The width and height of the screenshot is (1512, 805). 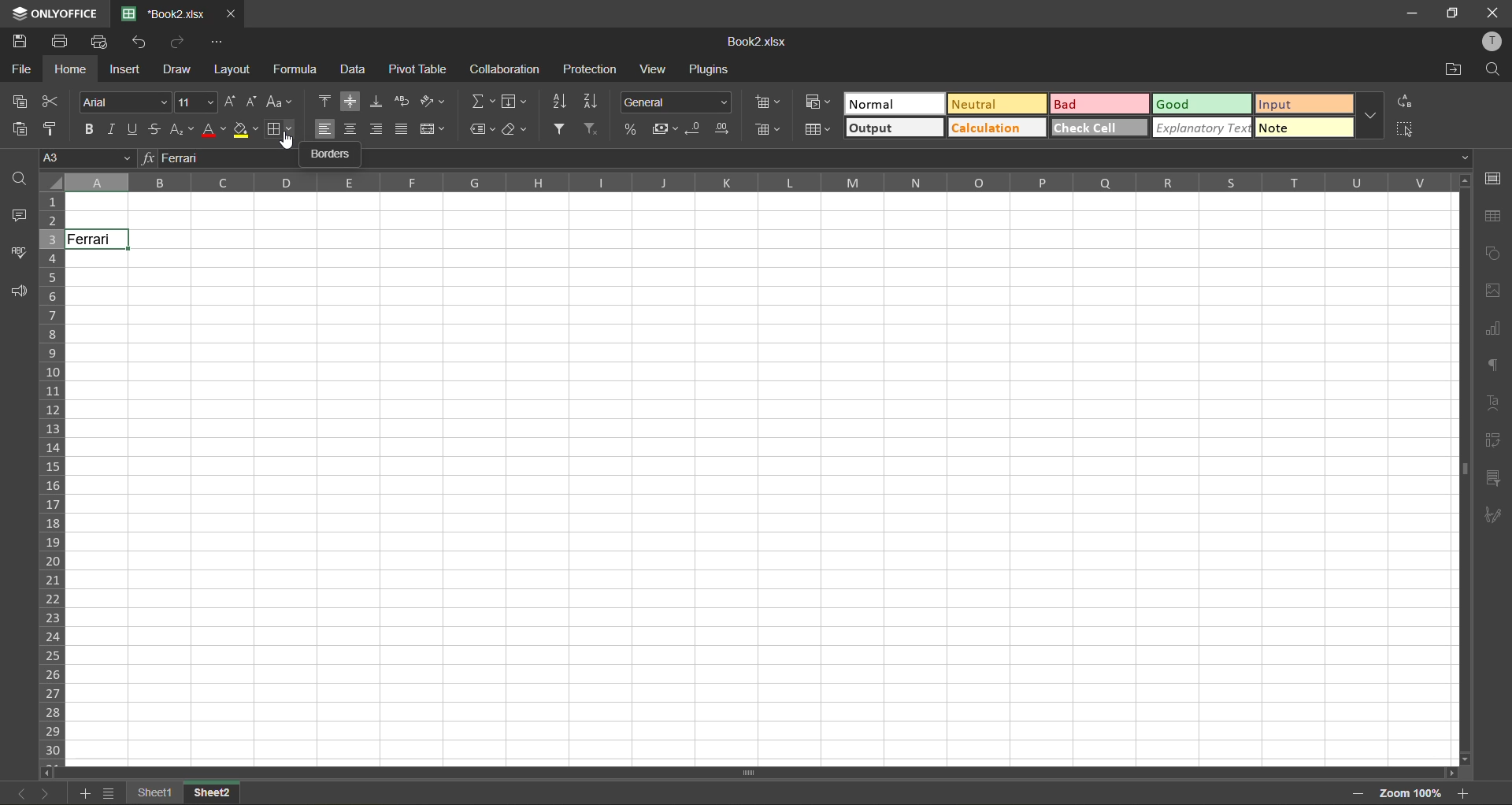 What do you see at coordinates (1492, 329) in the screenshot?
I see `charts` at bounding box center [1492, 329].